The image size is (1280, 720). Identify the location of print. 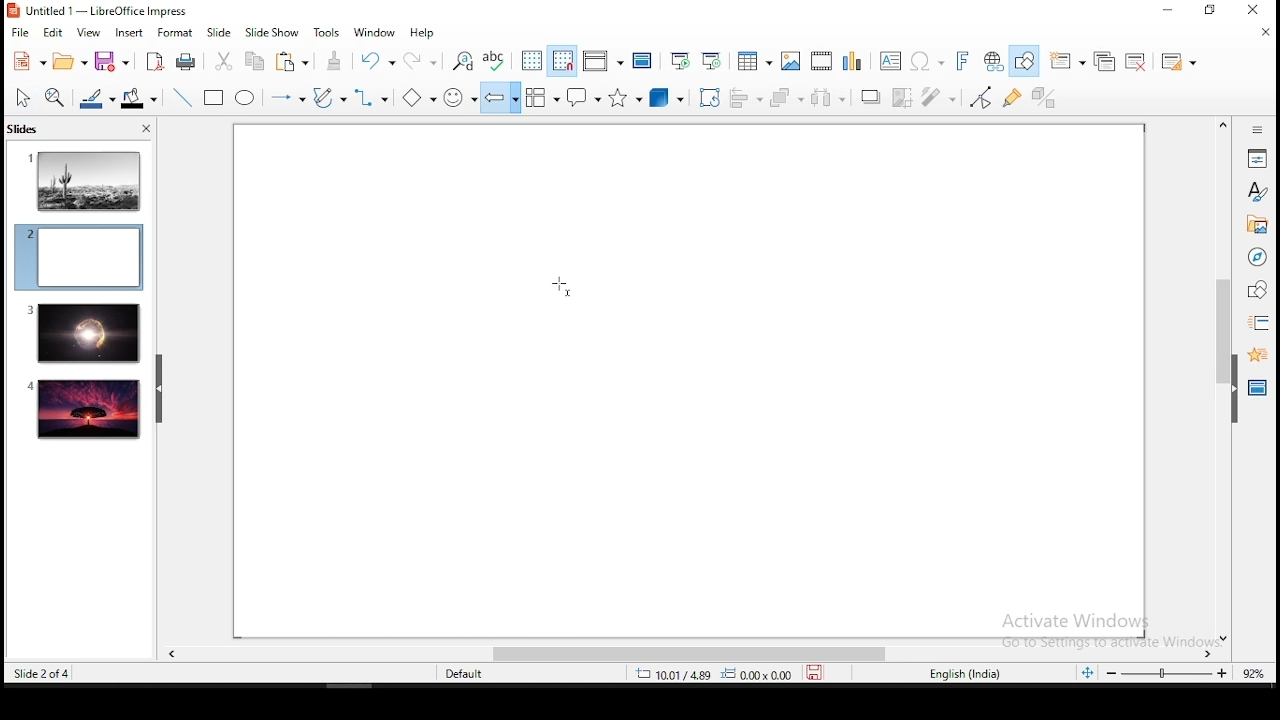
(187, 61).